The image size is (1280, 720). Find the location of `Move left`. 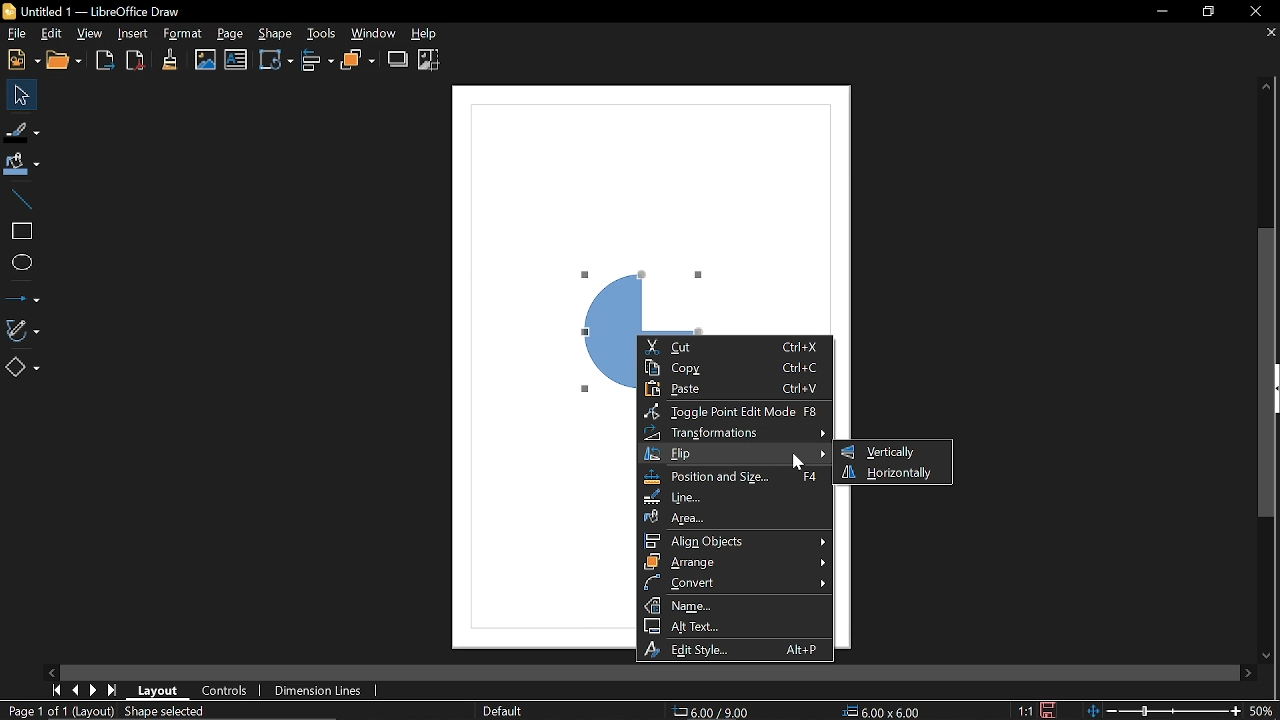

Move left is located at coordinates (55, 671).